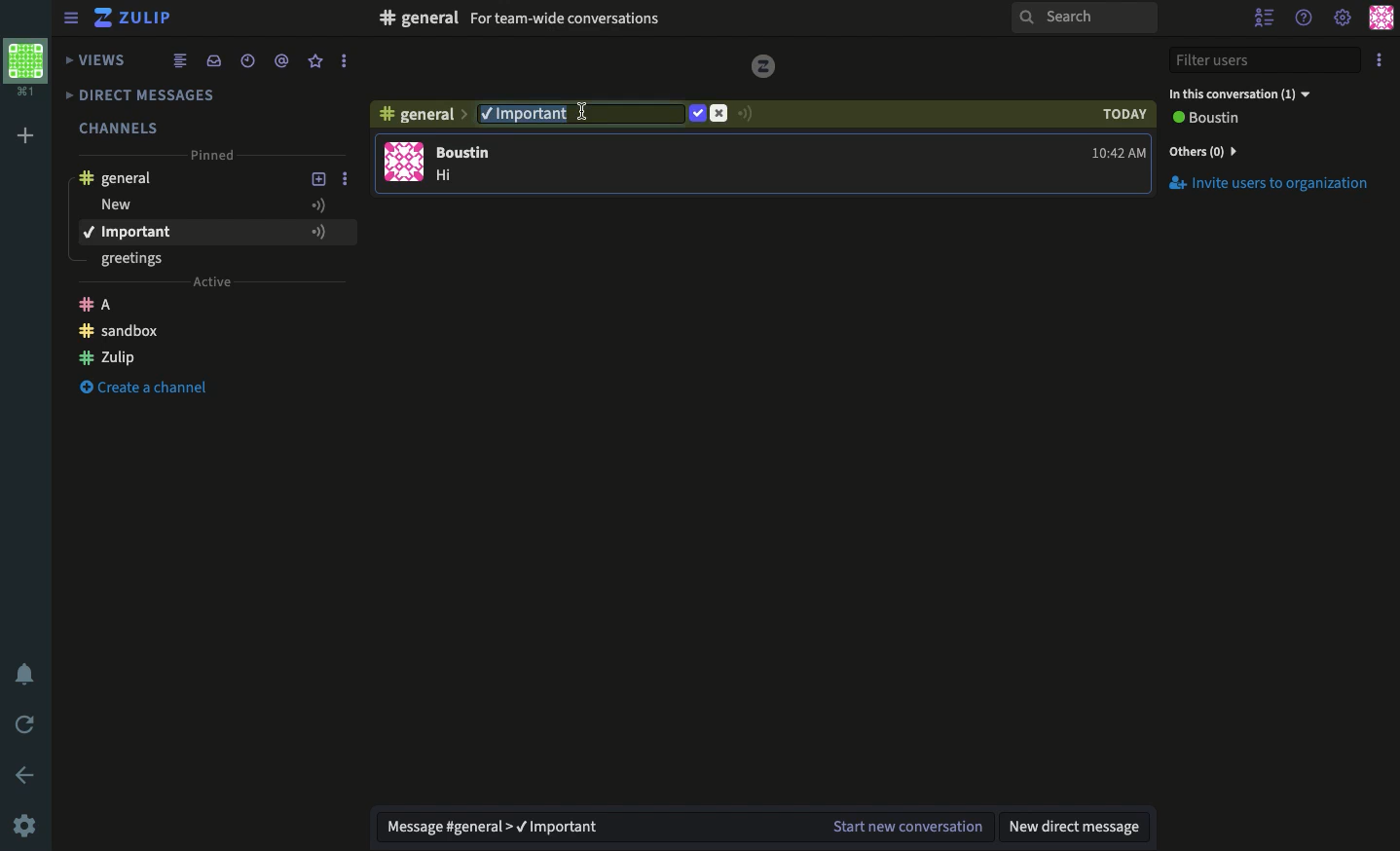 This screenshot has width=1400, height=851. Describe the element at coordinates (109, 303) in the screenshot. I see `Zulip` at that location.